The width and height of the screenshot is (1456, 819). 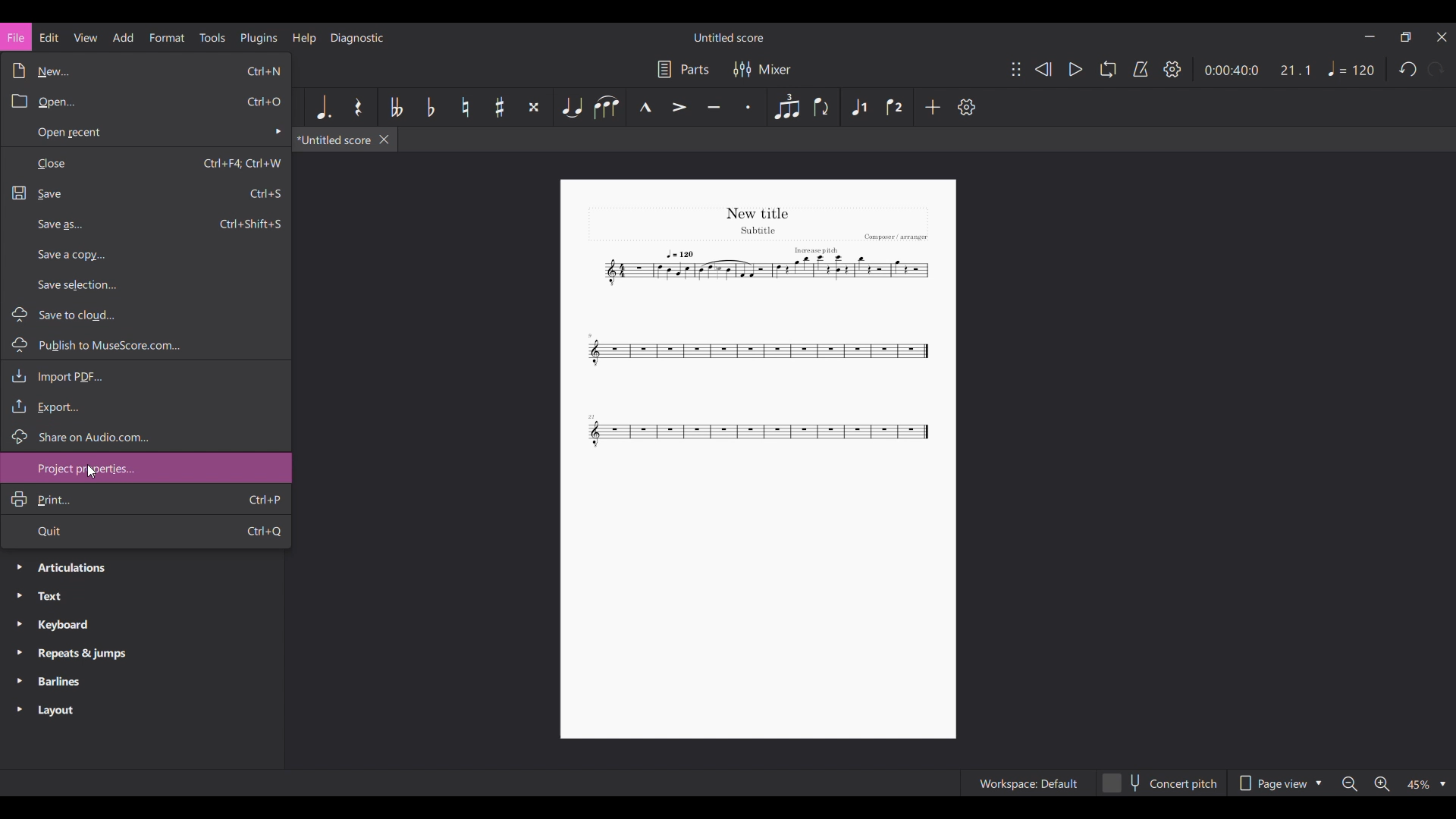 What do you see at coordinates (384, 140) in the screenshot?
I see `Close tab` at bounding box center [384, 140].